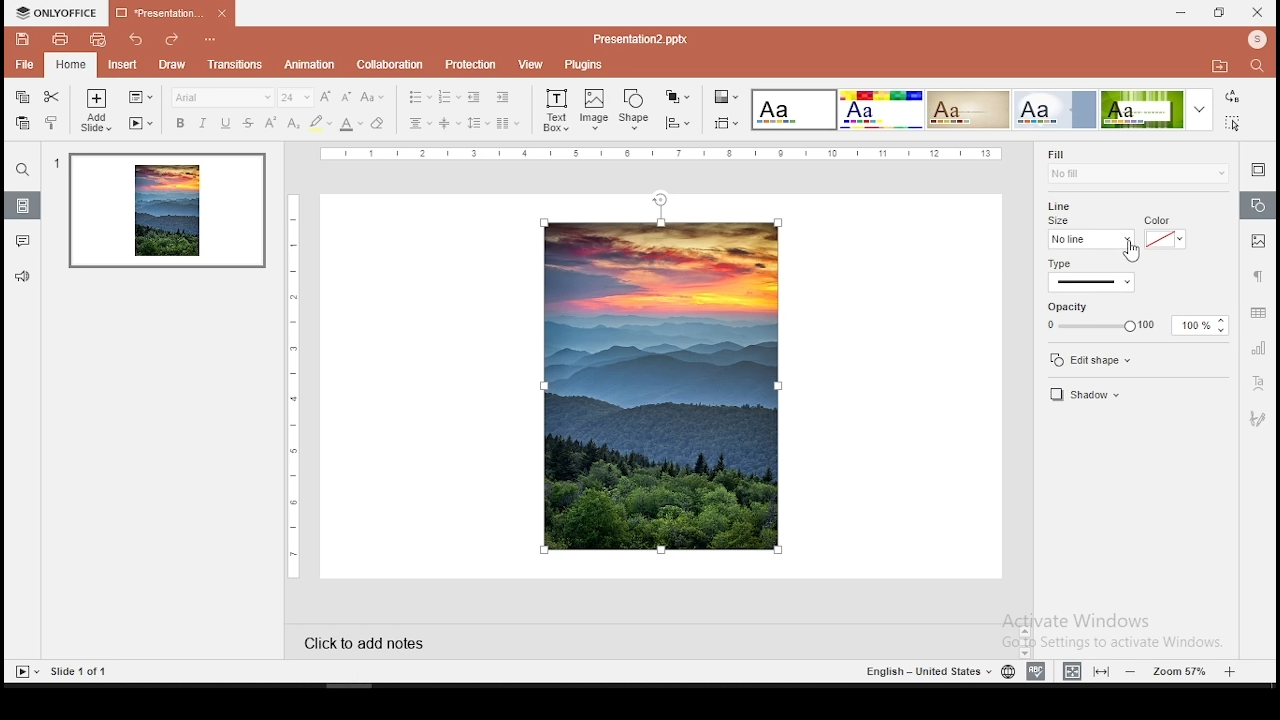  What do you see at coordinates (594, 109) in the screenshot?
I see `image` at bounding box center [594, 109].